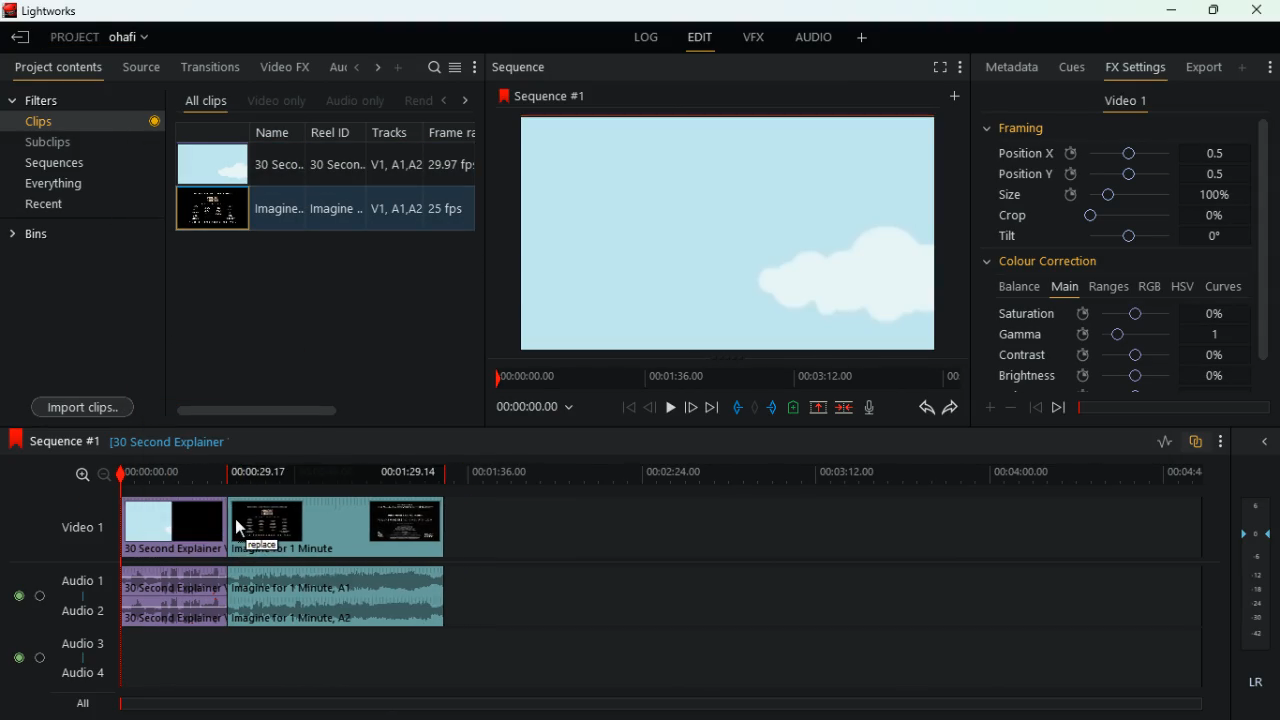  What do you see at coordinates (354, 102) in the screenshot?
I see `audio only` at bounding box center [354, 102].